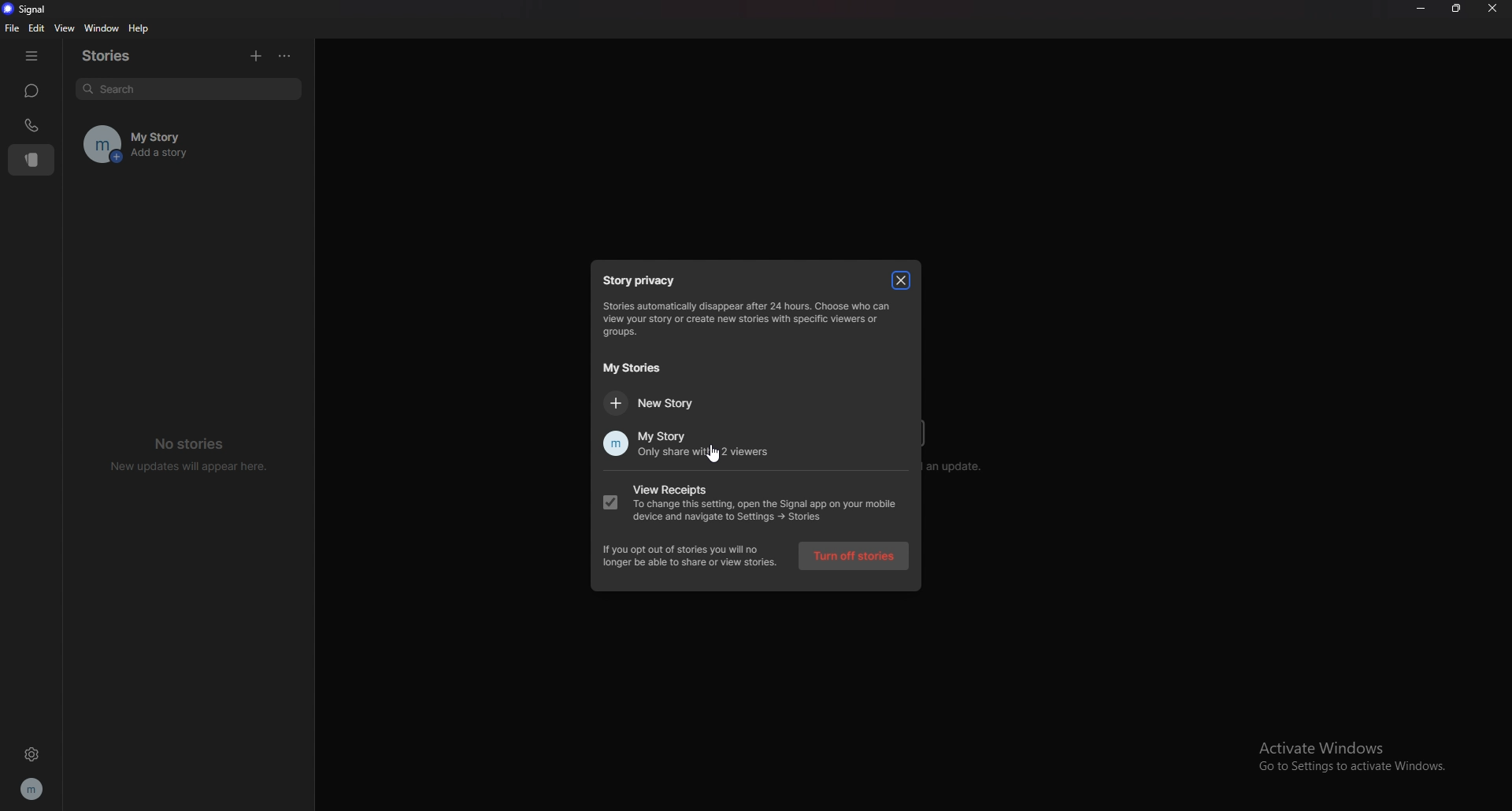 This screenshot has width=1512, height=811. What do you see at coordinates (191, 467) in the screenshot?
I see `New updates will appear here.` at bounding box center [191, 467].